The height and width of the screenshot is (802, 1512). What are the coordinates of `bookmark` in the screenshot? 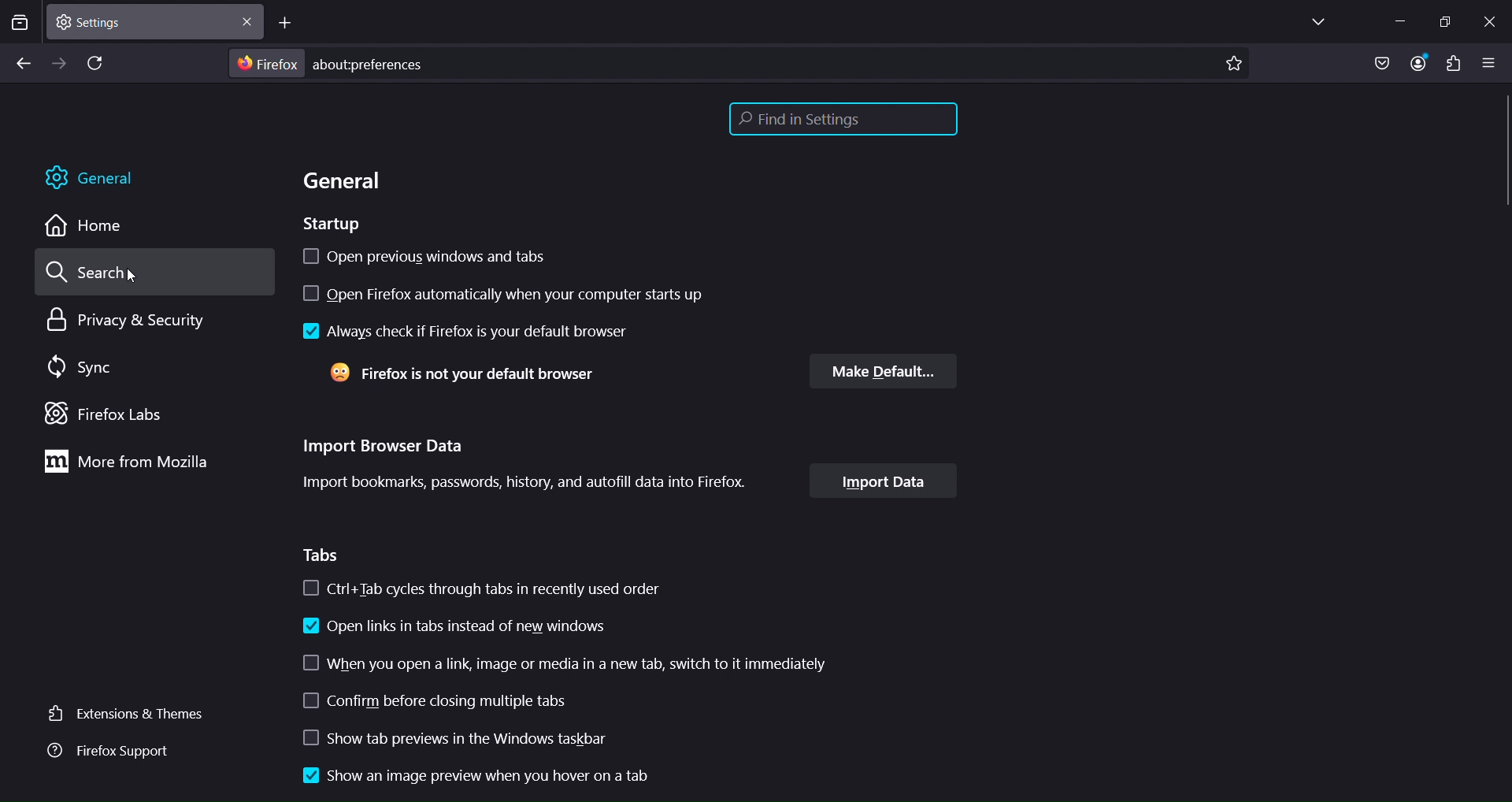 It's located at (1234, 65).